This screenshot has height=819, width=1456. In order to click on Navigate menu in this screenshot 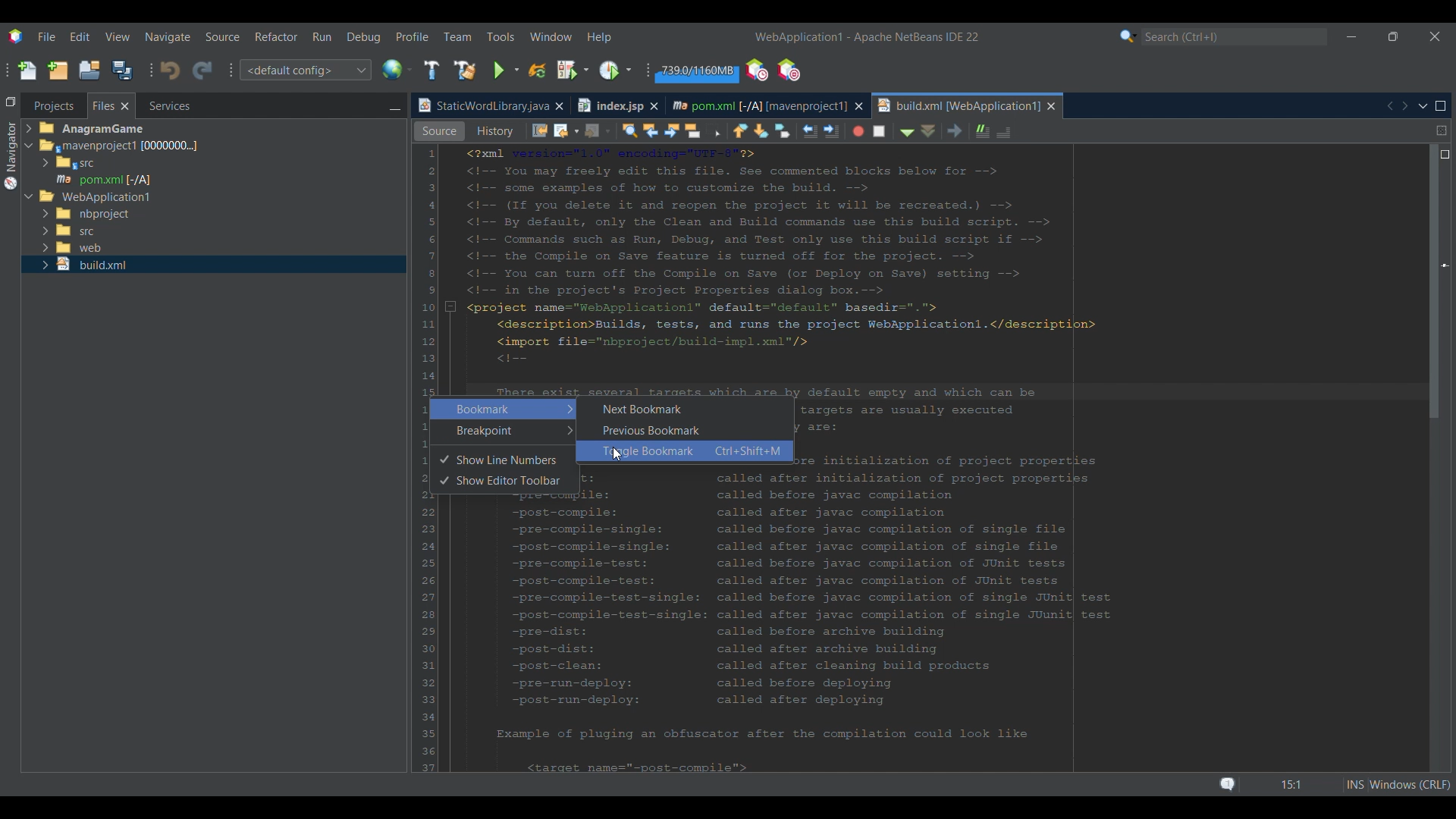, I will do `click(168, 37)`.